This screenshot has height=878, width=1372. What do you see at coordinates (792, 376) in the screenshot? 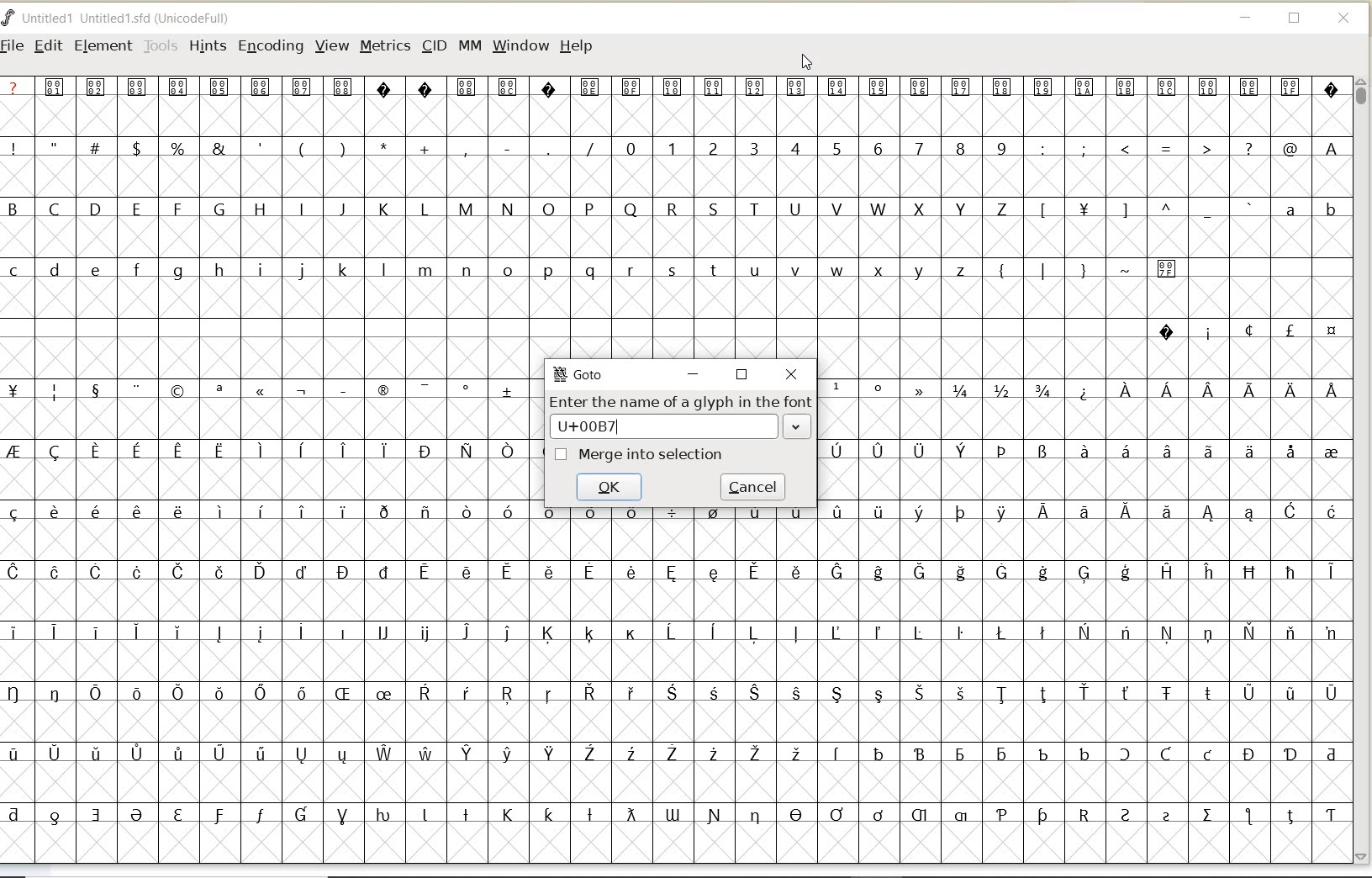
I see `close` at bounding box center [792, 376].